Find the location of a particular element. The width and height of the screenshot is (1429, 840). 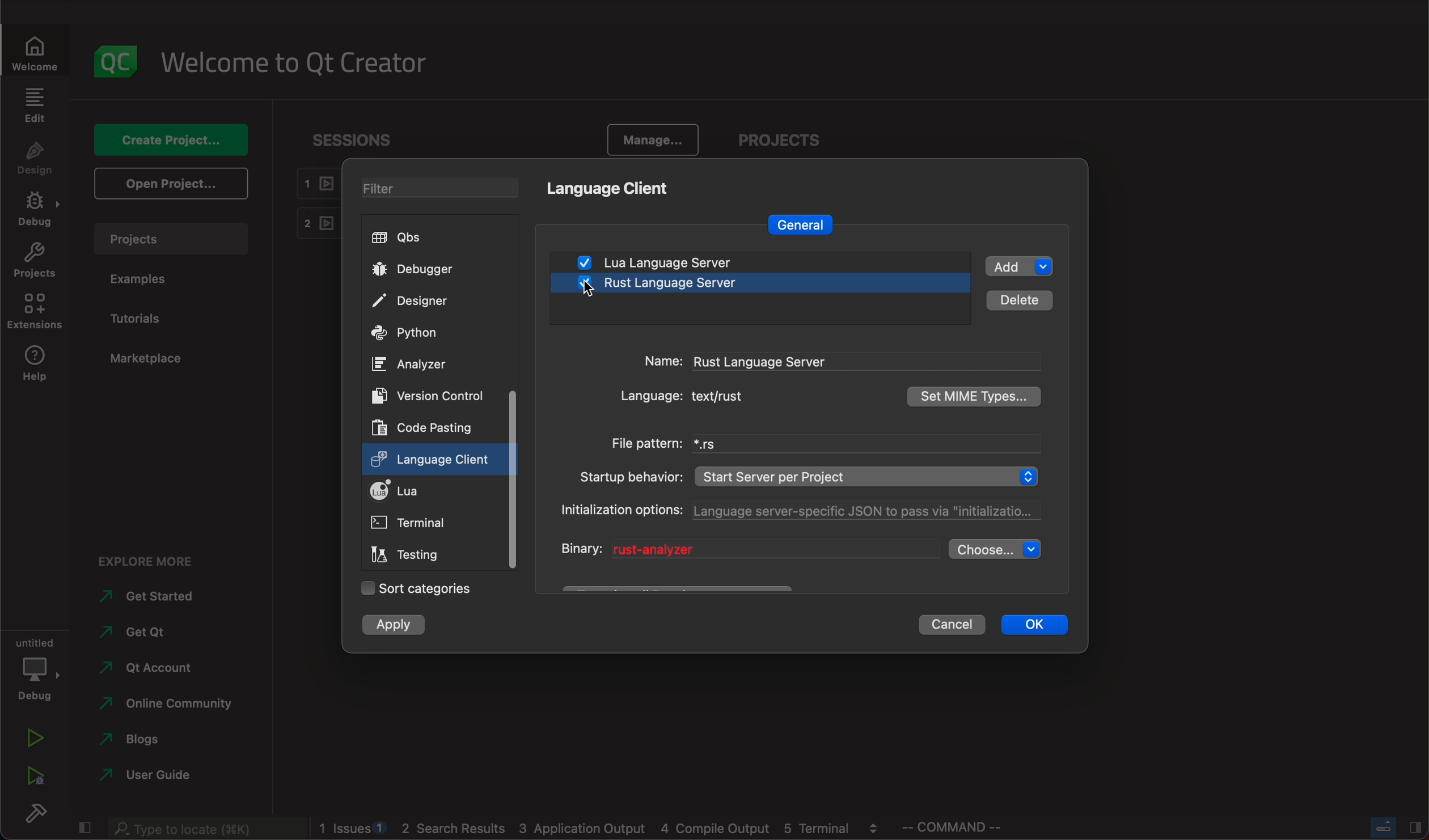

version is located at coordinates (428, 396).